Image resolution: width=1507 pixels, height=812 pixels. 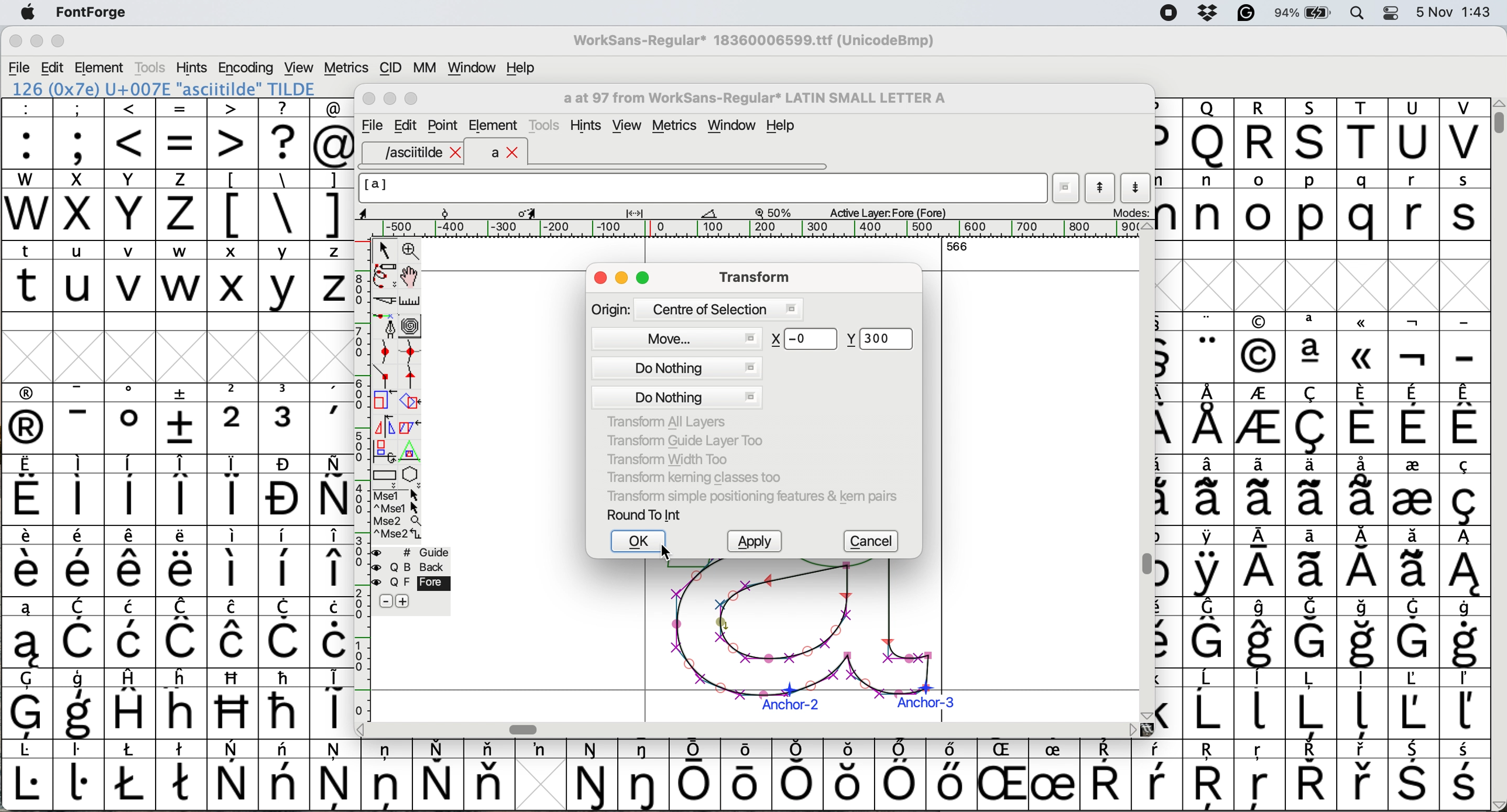 What do you see at coordinates (285, 632) in the screenshot?
I see `symbol` at bounding box center [285, 632].